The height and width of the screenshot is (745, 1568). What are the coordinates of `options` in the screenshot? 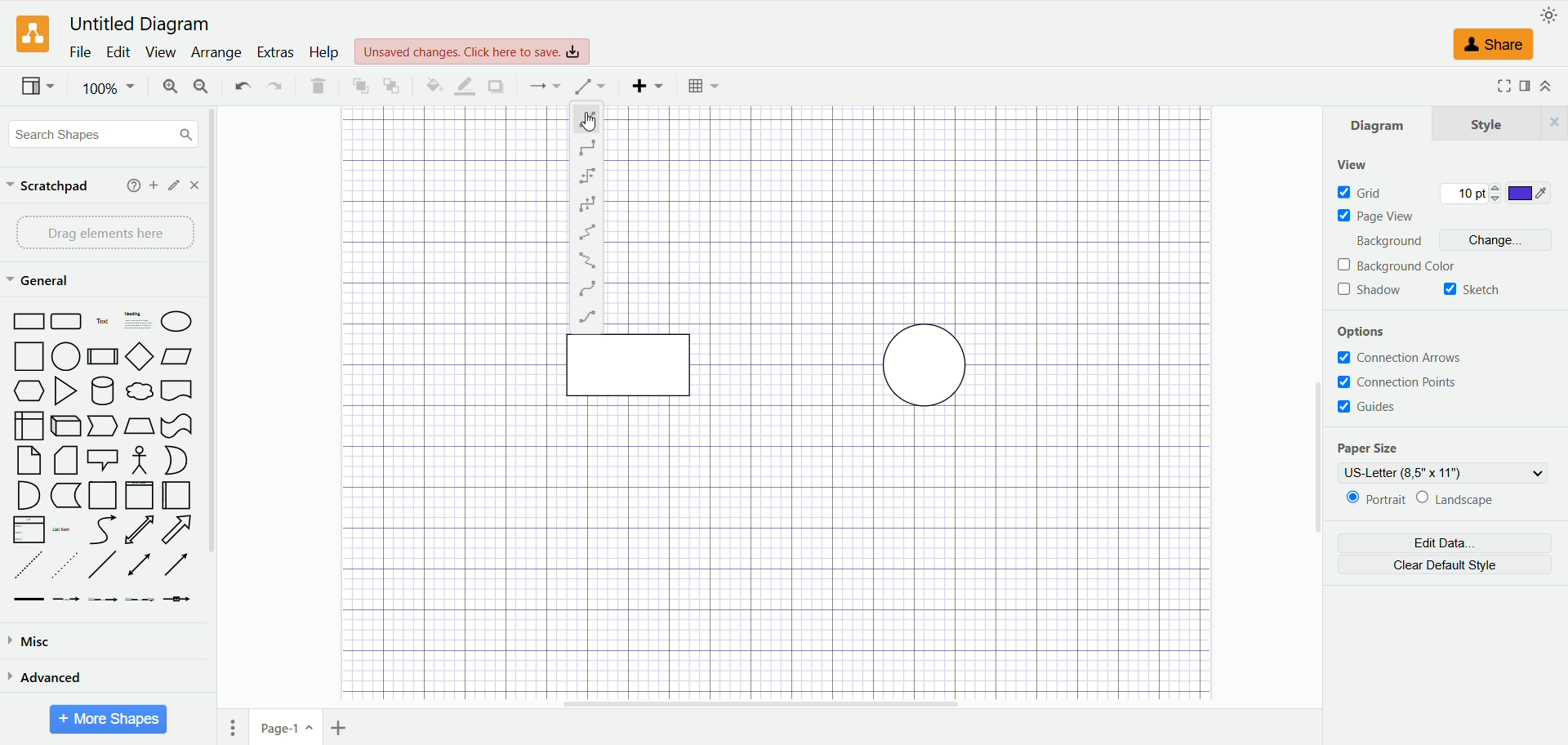 It's located at (1366, 332).